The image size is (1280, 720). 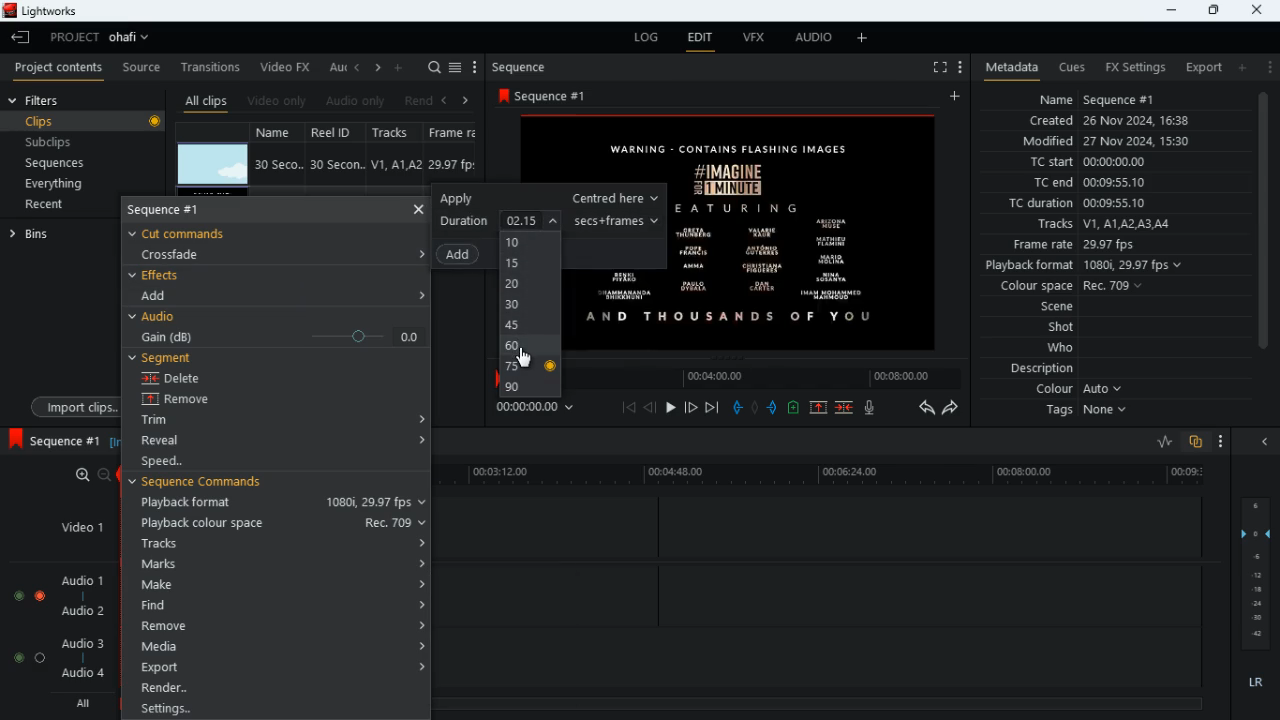 What do you see at coordinates (714, 409) in the screenshot?
I see `end` at bounding box center [714, 409].